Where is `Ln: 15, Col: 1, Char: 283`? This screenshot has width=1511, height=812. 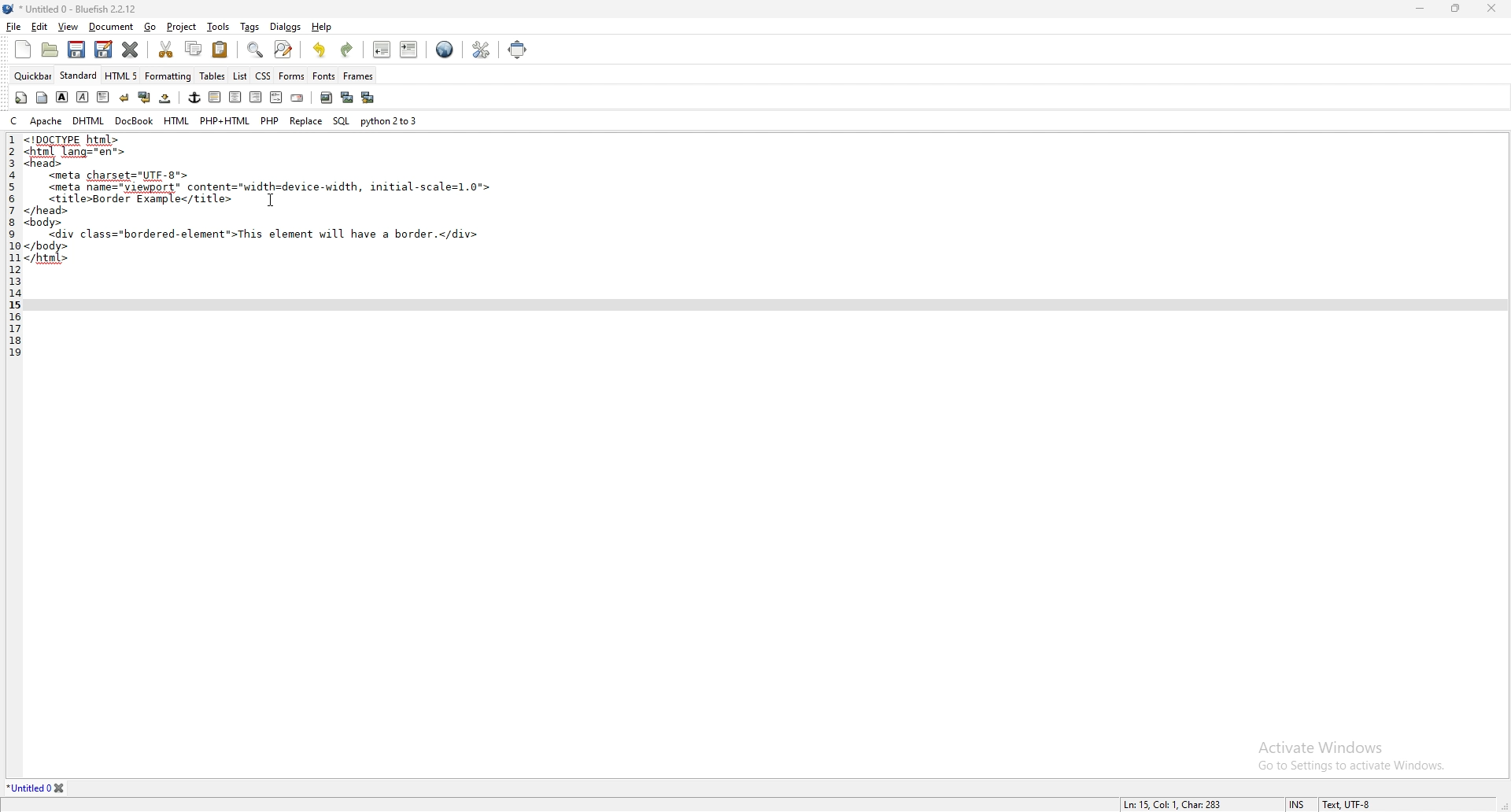 Ln: 15, Col: 1, Char: 283 is located at coordinates (1173, 803).